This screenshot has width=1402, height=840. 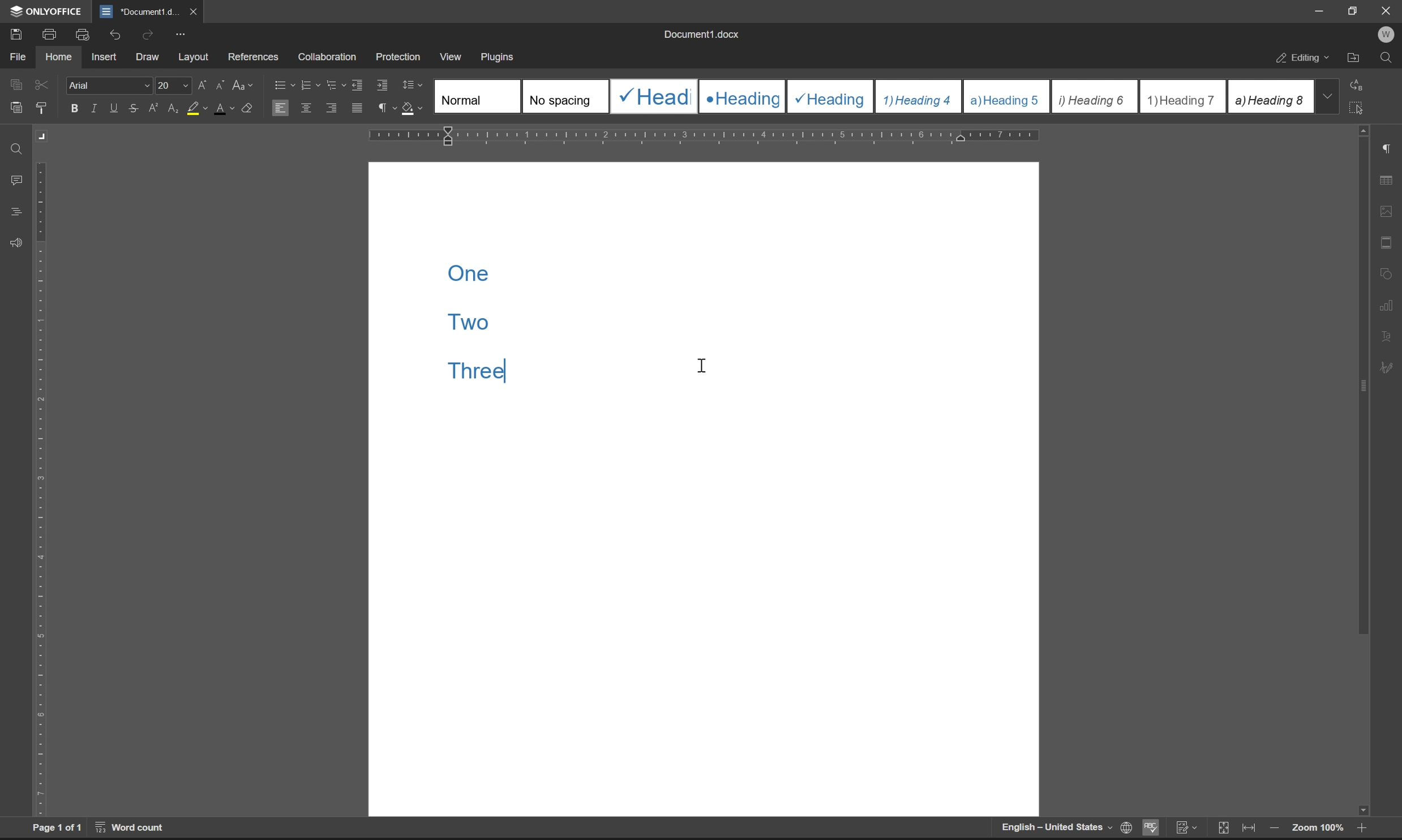 I want to click on replace, so click(x=1360, y=84).